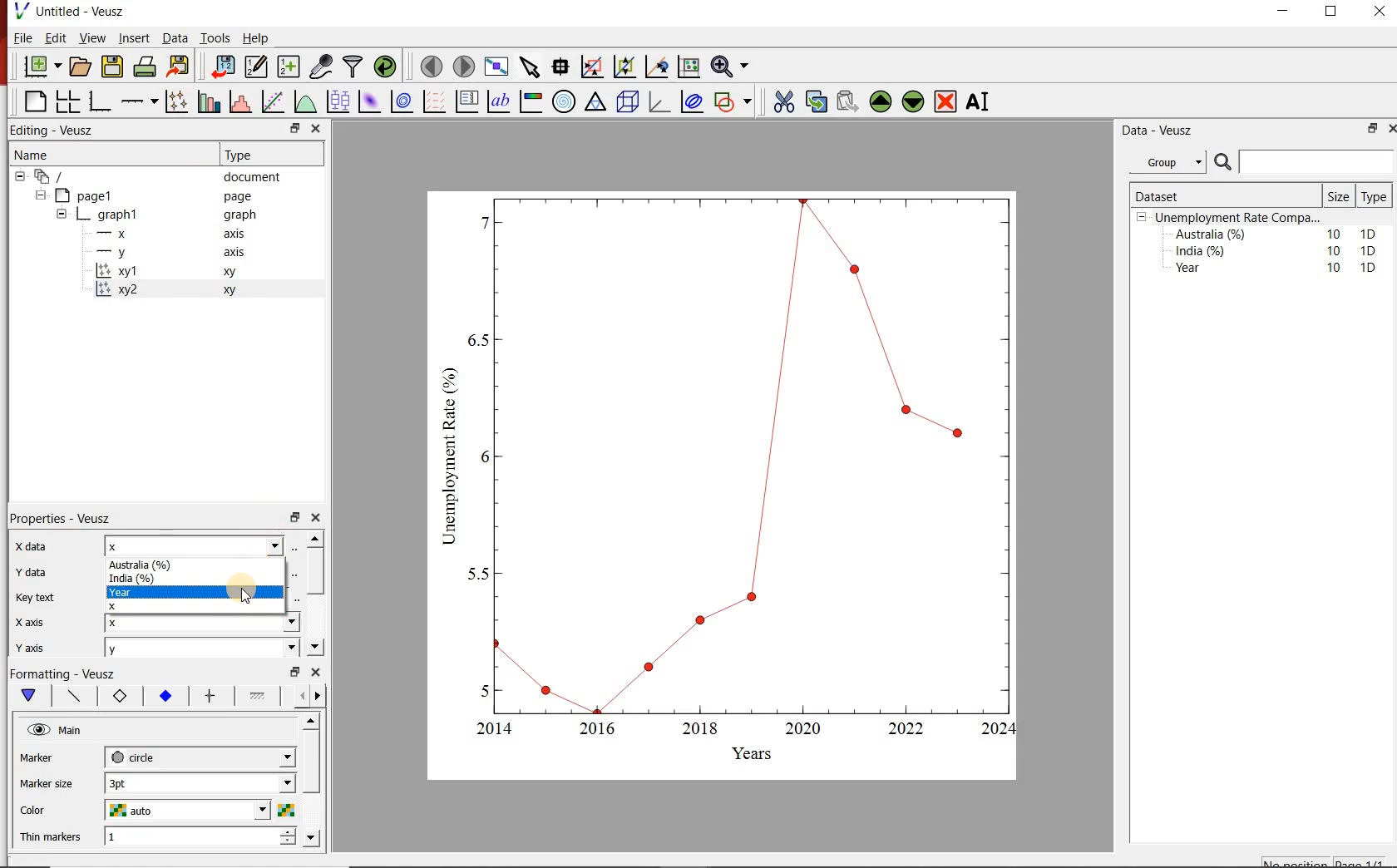  Describe the element at coordinates (38, 729) in the screenshot. I see `hide/unhide` at that location.